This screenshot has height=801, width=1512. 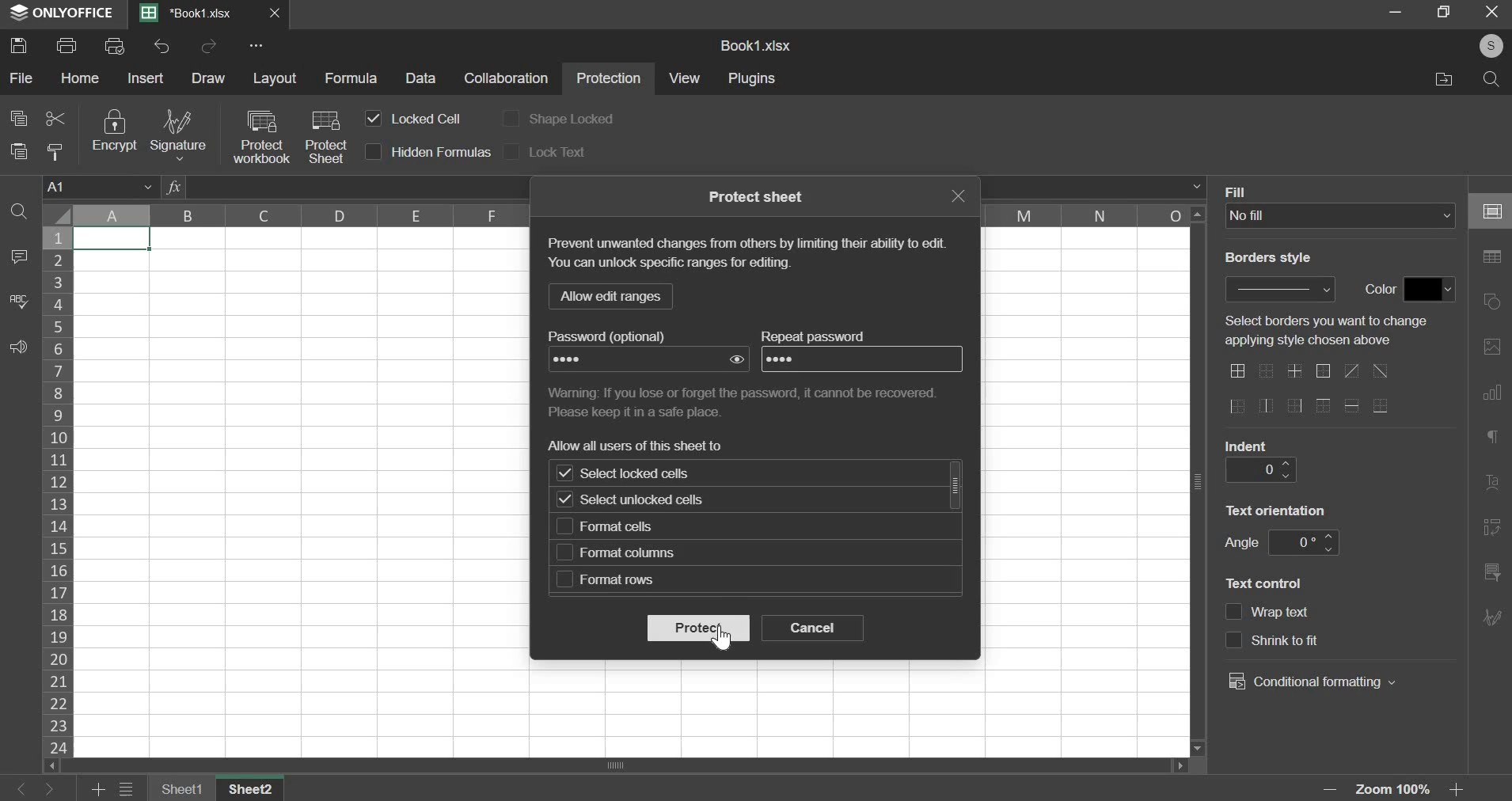 I want to click on lock text, so click(x=557, y=151).